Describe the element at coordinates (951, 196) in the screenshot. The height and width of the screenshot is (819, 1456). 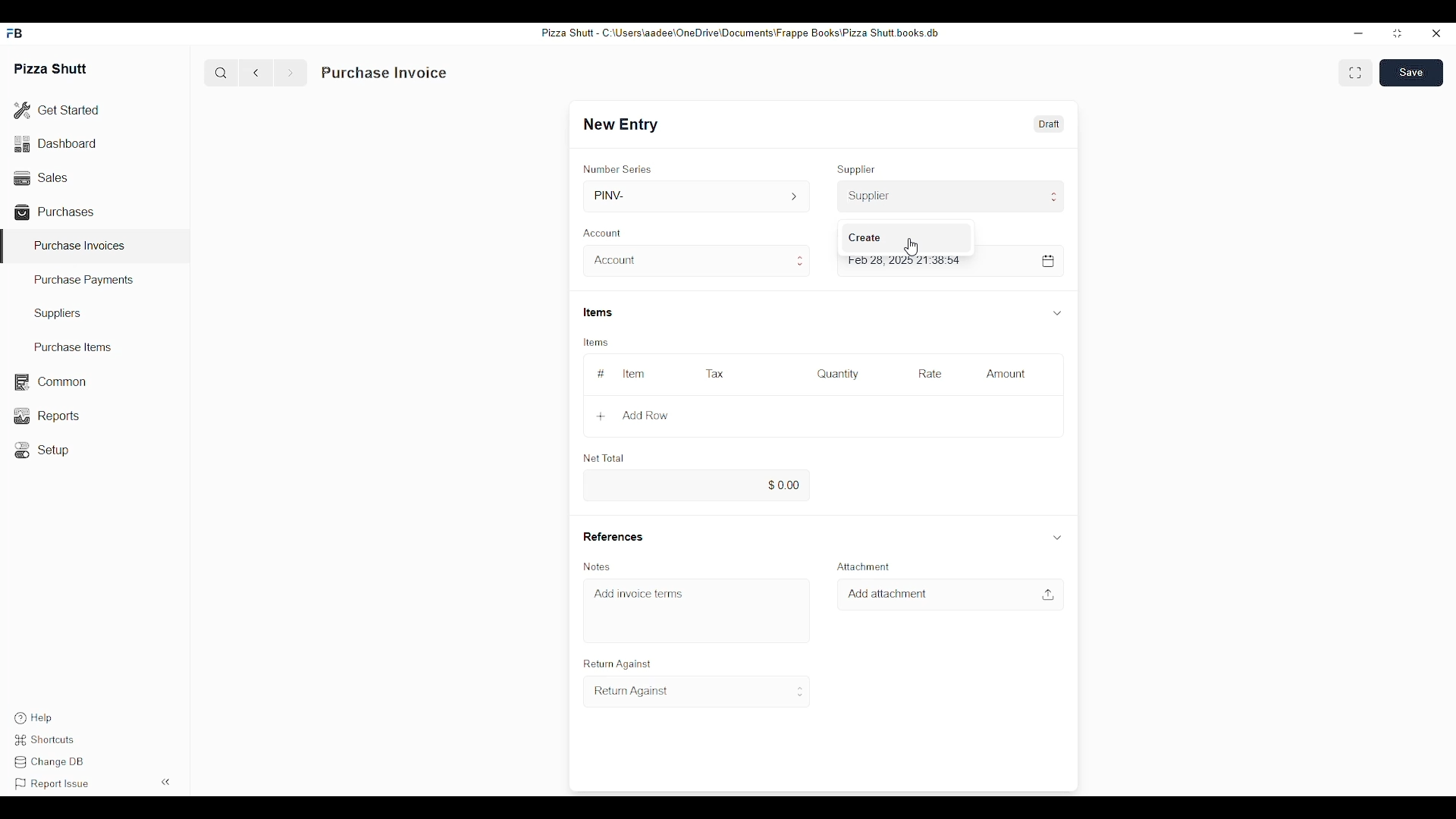
I see `Supplier` at that location.